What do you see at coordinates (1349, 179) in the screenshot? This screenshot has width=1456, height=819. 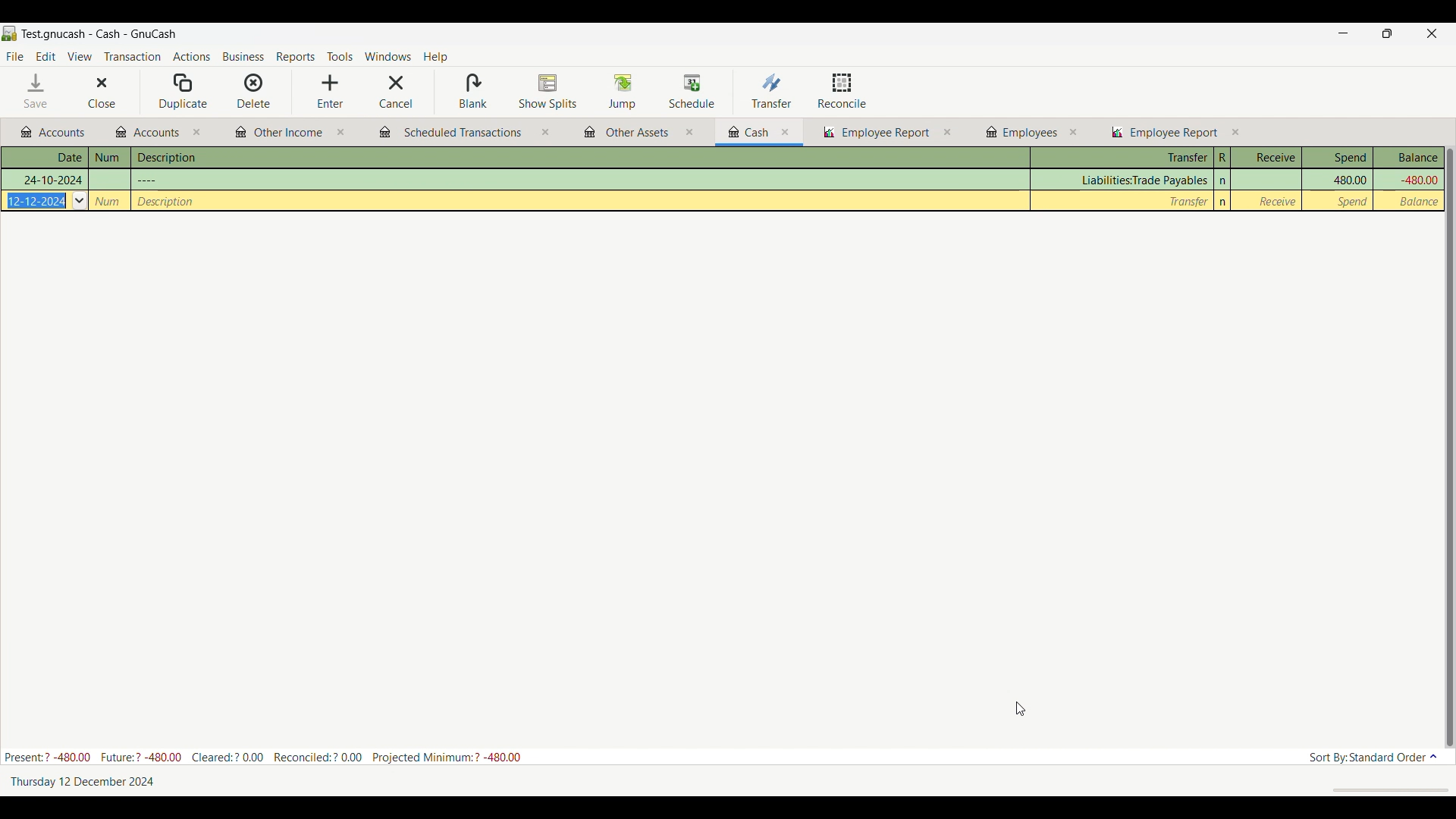 I see `Spend column` at bounding box center [1349, 179].